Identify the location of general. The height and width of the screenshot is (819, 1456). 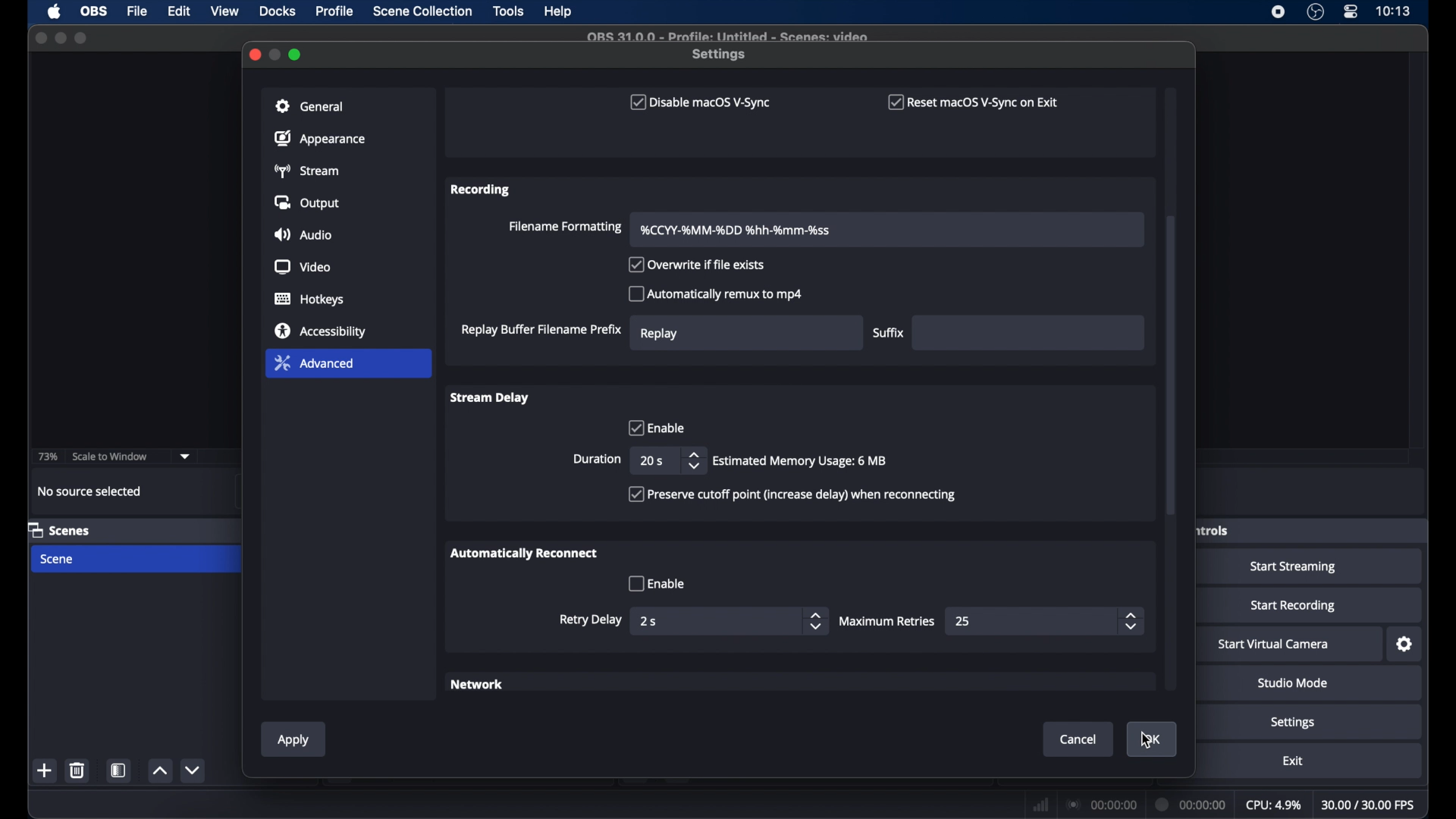
(310, 106).